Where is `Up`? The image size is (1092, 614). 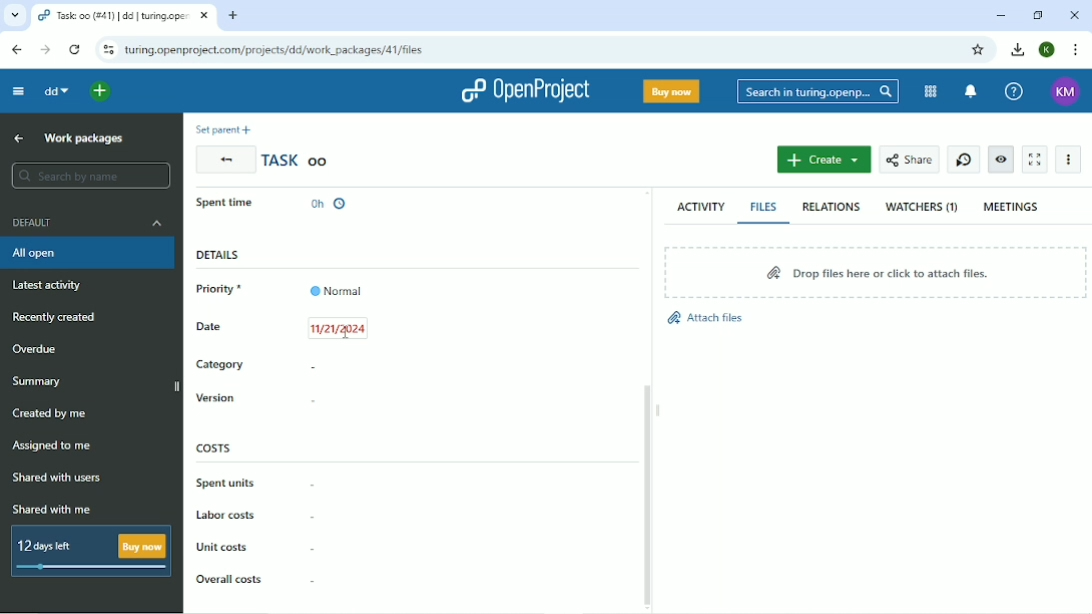 Up is located at coordinates (19, 139).